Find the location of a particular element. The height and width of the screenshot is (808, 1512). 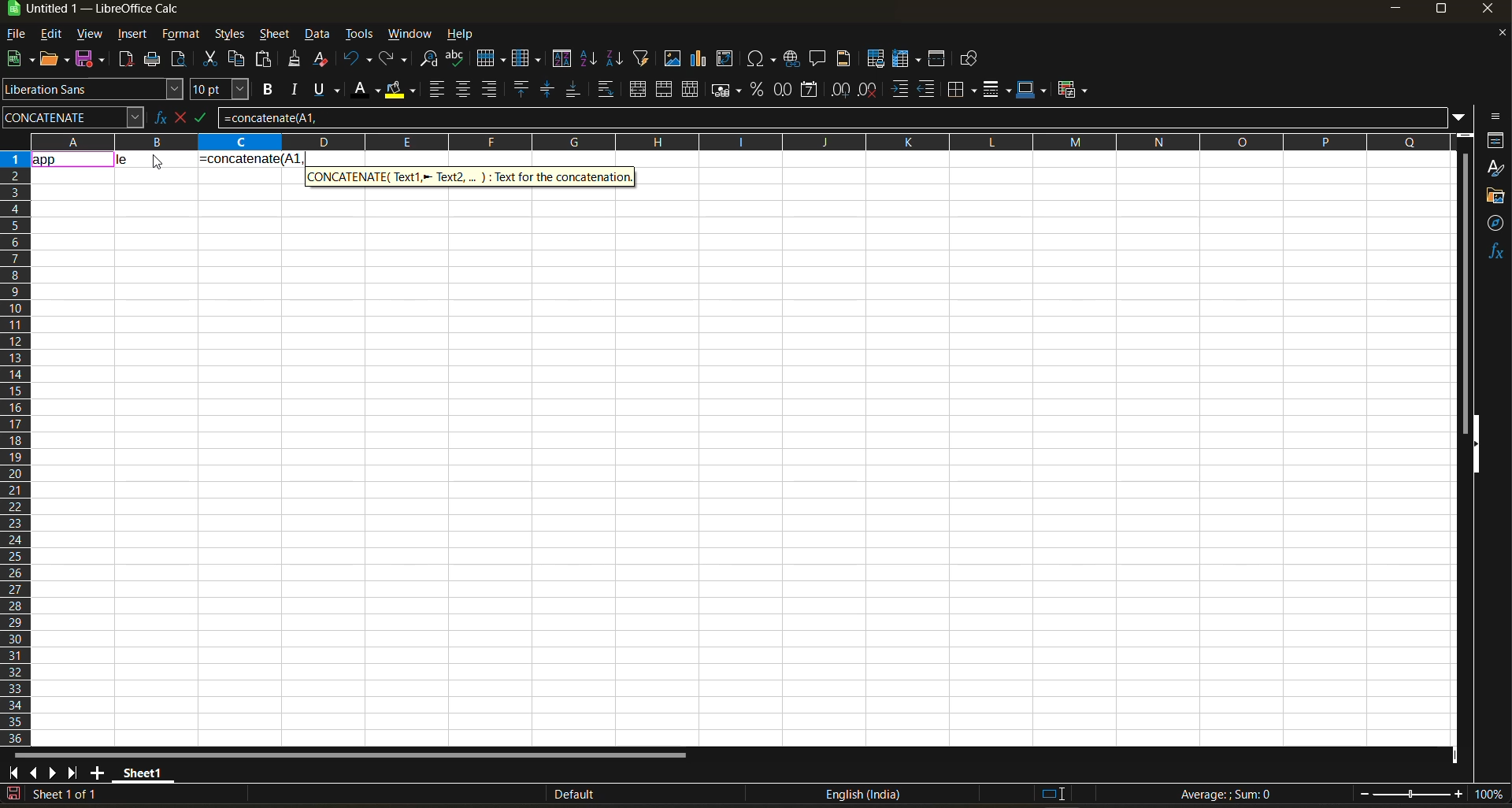

edit is located at coordinates (51, 32).